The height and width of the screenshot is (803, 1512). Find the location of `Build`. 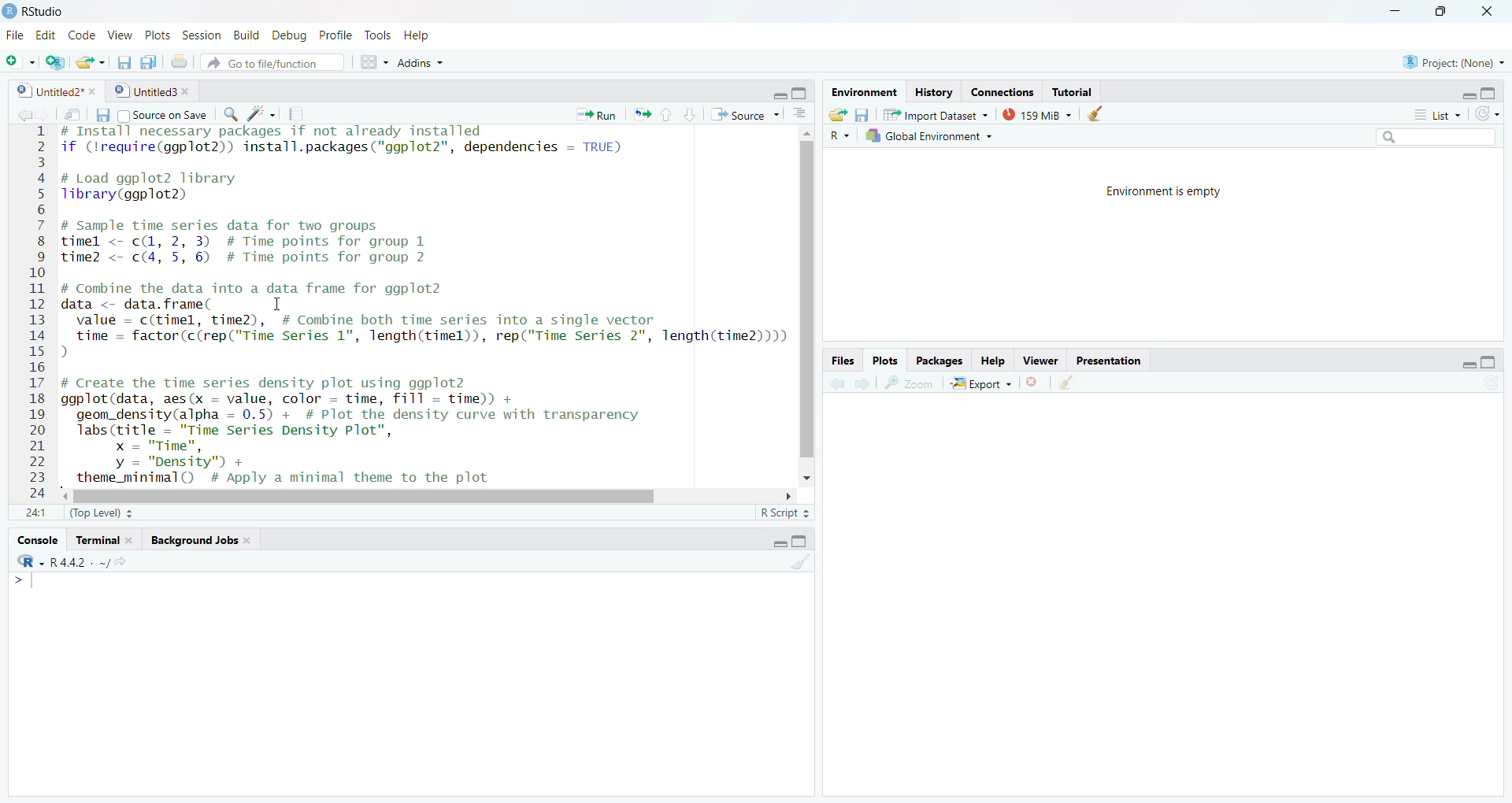

Build is located at coordinates (245, 35).